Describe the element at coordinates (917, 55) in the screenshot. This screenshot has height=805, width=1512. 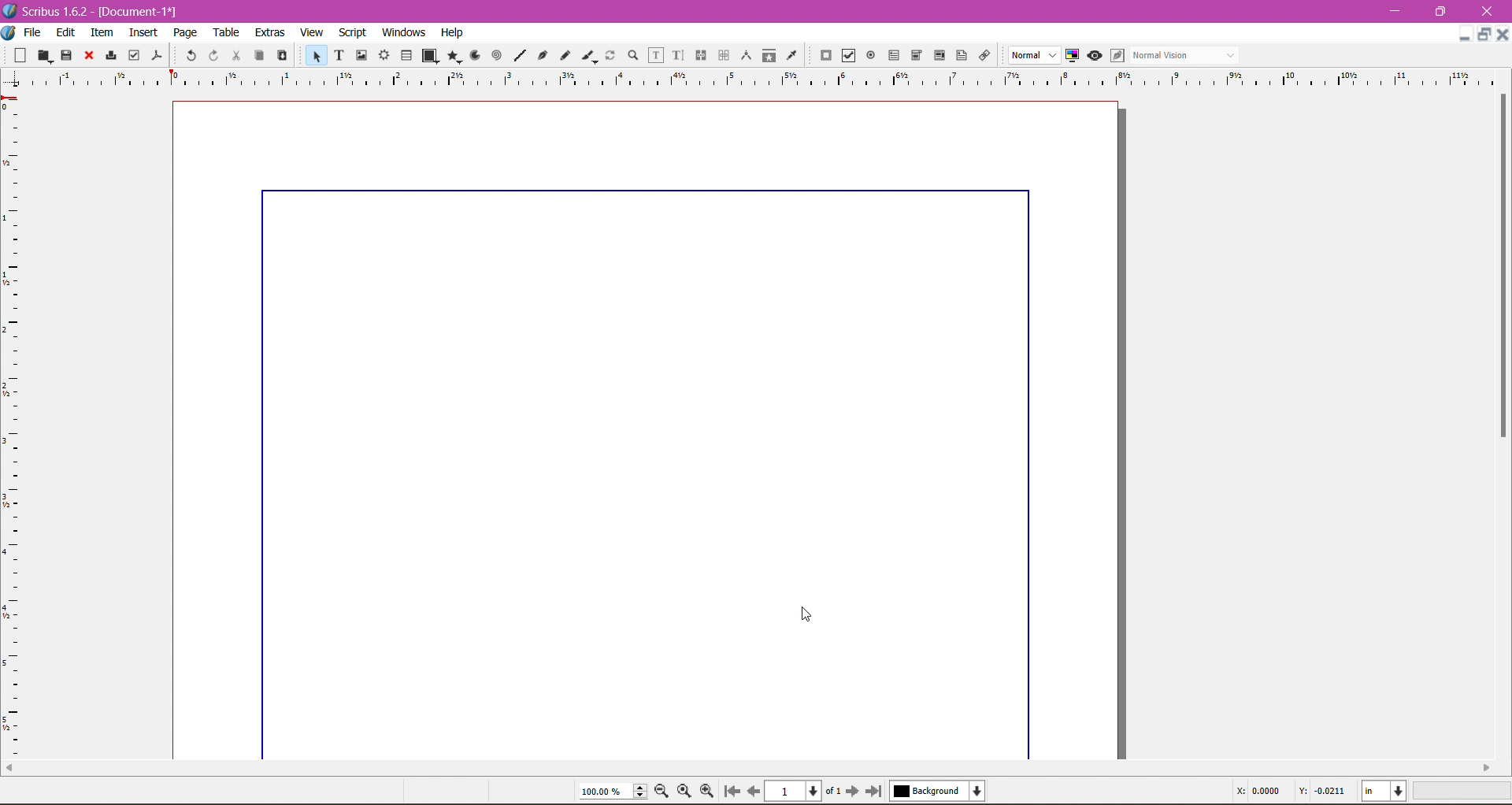
I see `PDF Combo Box` at that location.